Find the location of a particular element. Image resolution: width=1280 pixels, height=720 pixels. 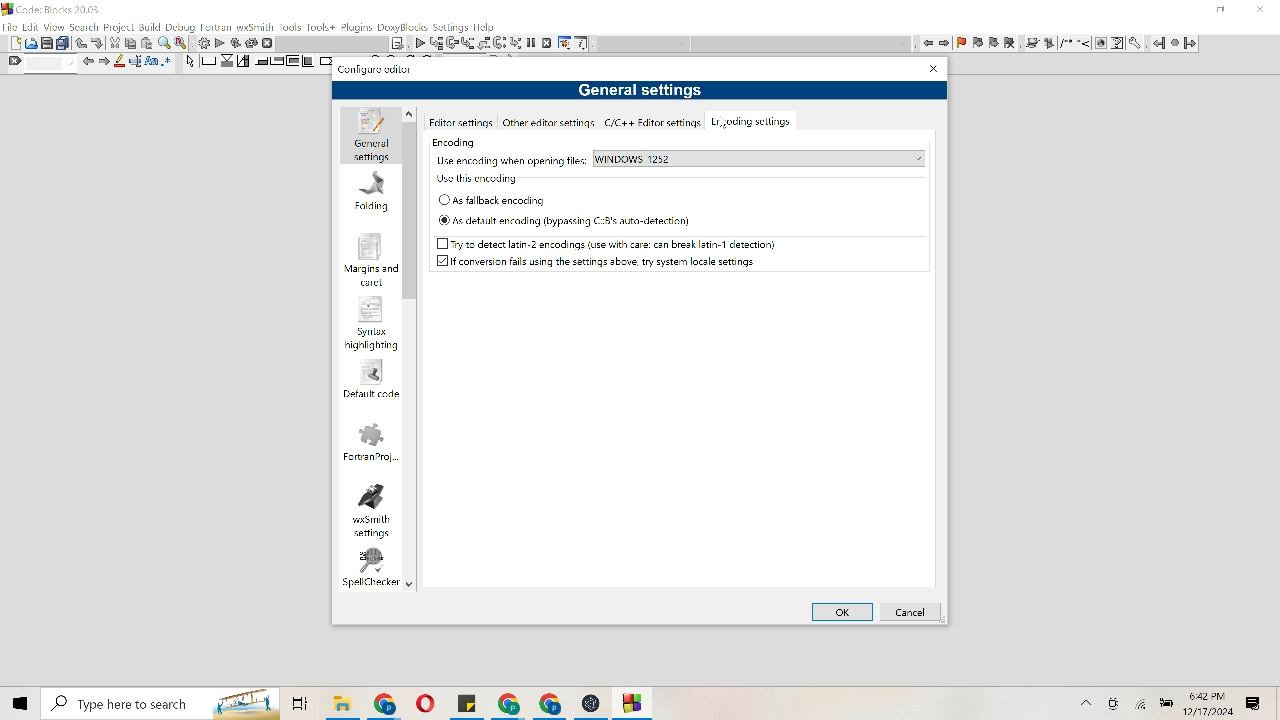

Use this encoding is located at coordinates (478, 179).